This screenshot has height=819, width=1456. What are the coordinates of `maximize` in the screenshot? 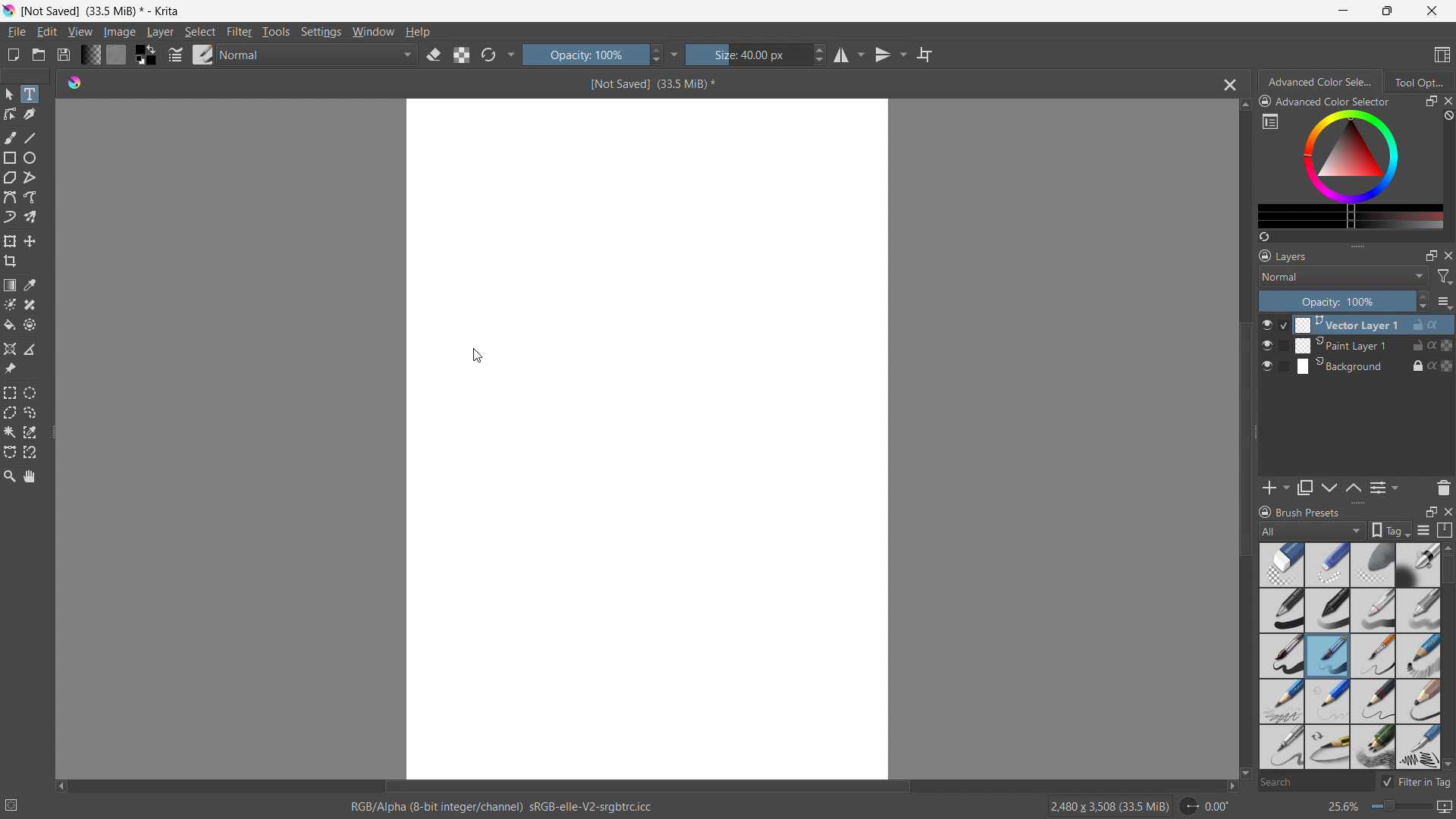 It's located at (1431, 255).